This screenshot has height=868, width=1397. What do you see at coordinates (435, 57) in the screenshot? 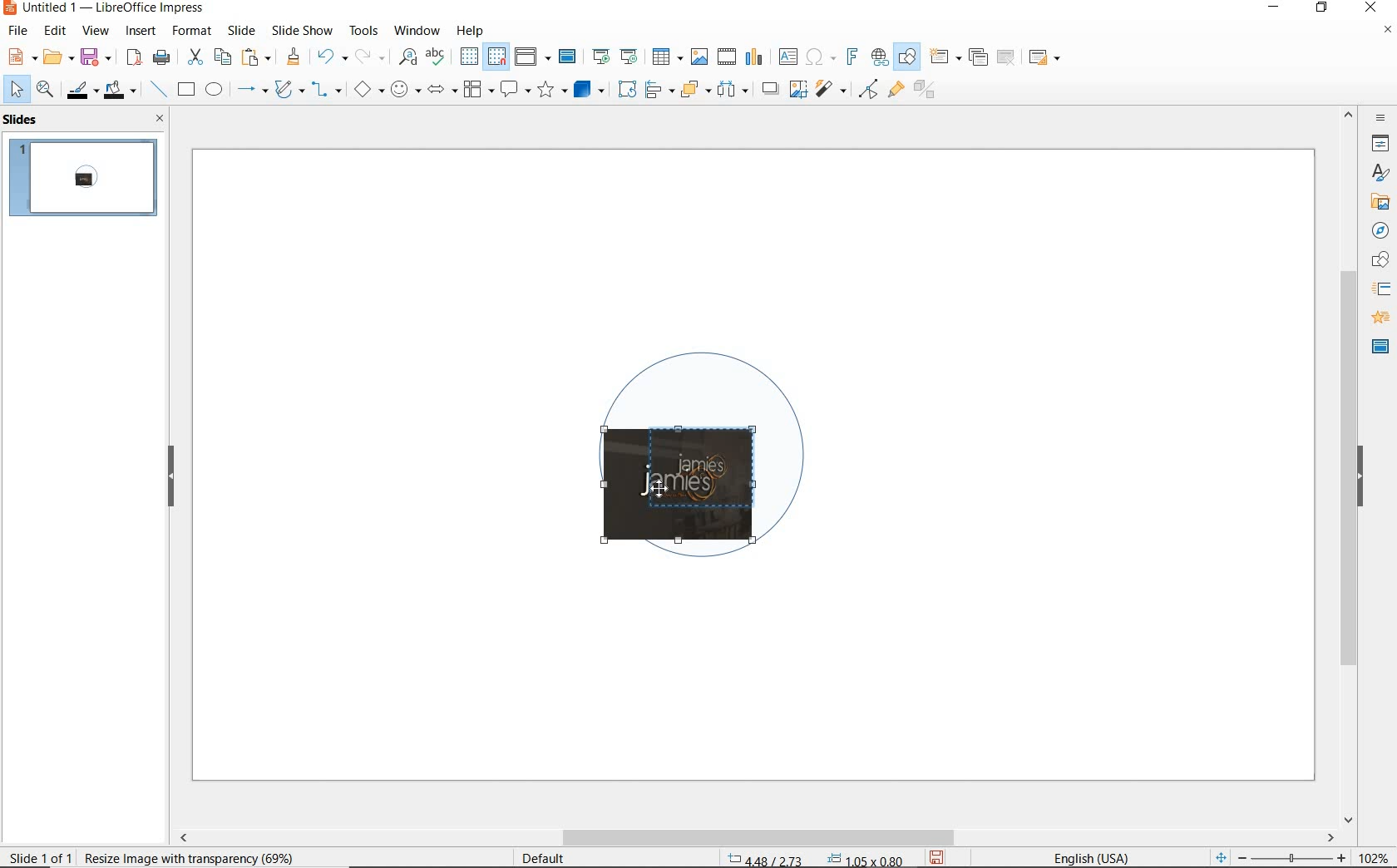
I see `spelling` at bounding box center [435, 57].